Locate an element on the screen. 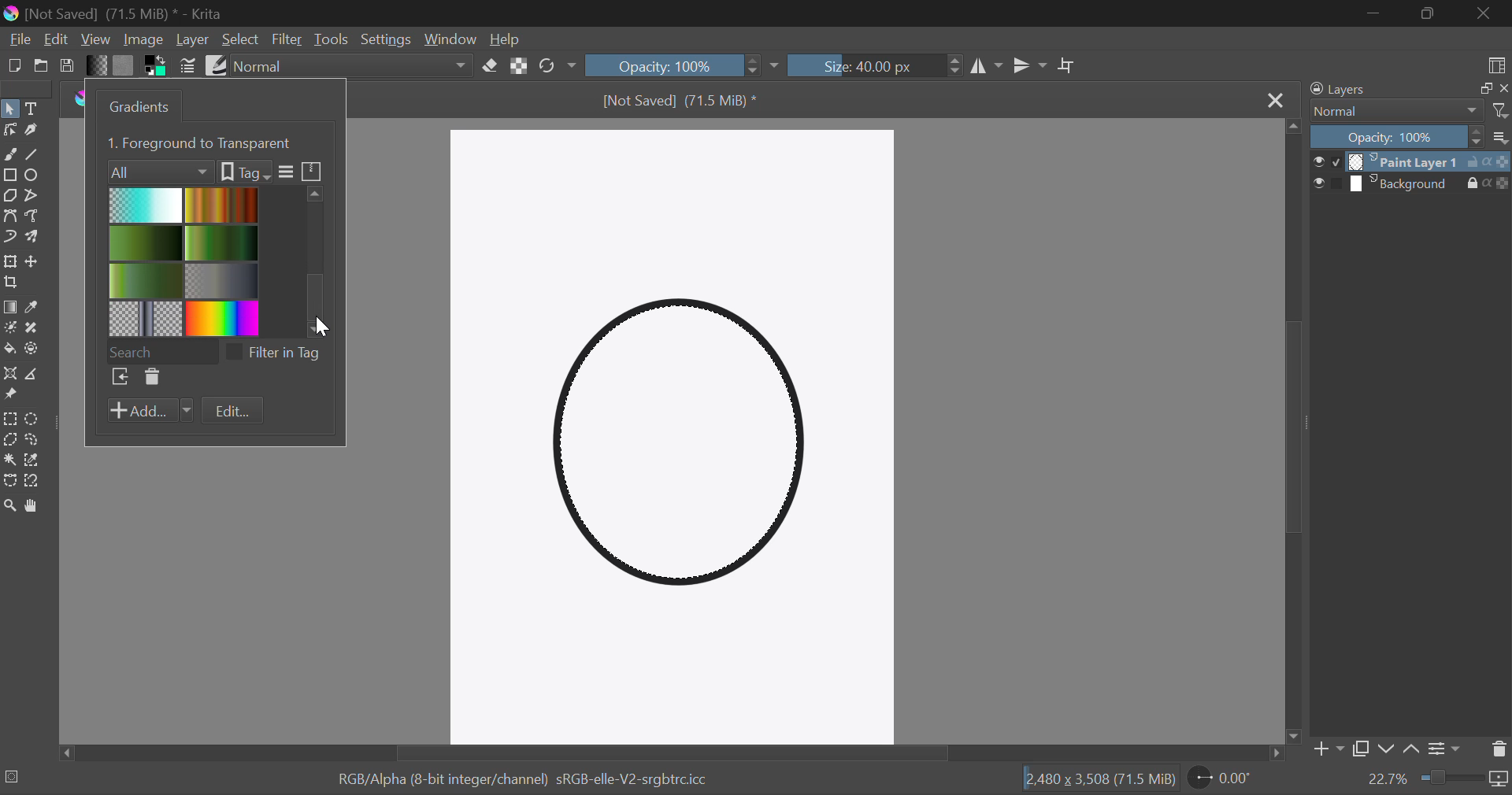  filter is located at coordinates (1499, 111).